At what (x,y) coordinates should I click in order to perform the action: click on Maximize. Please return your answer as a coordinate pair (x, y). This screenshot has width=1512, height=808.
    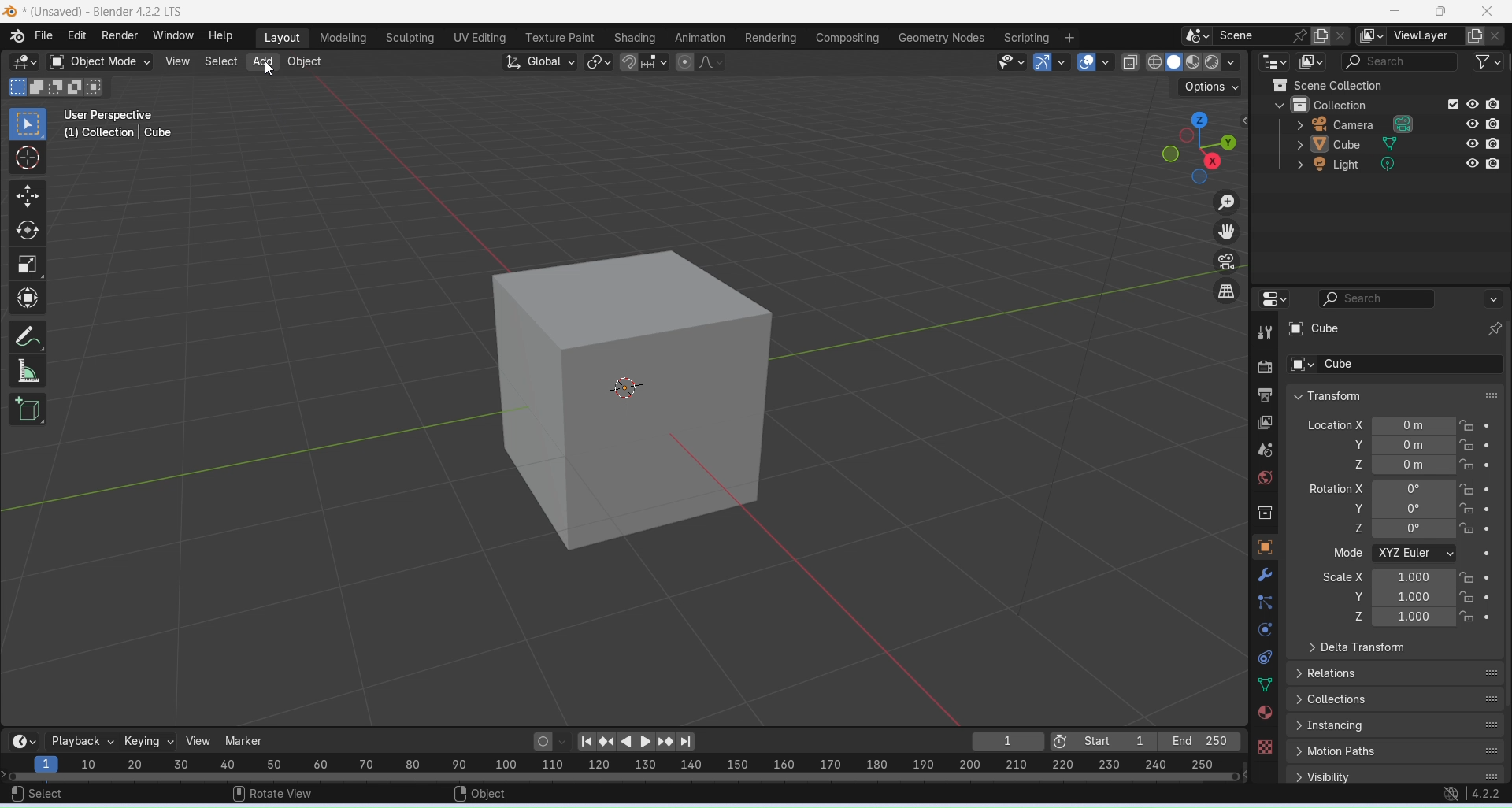
    Looking at the image, I should click on (1439, 11).